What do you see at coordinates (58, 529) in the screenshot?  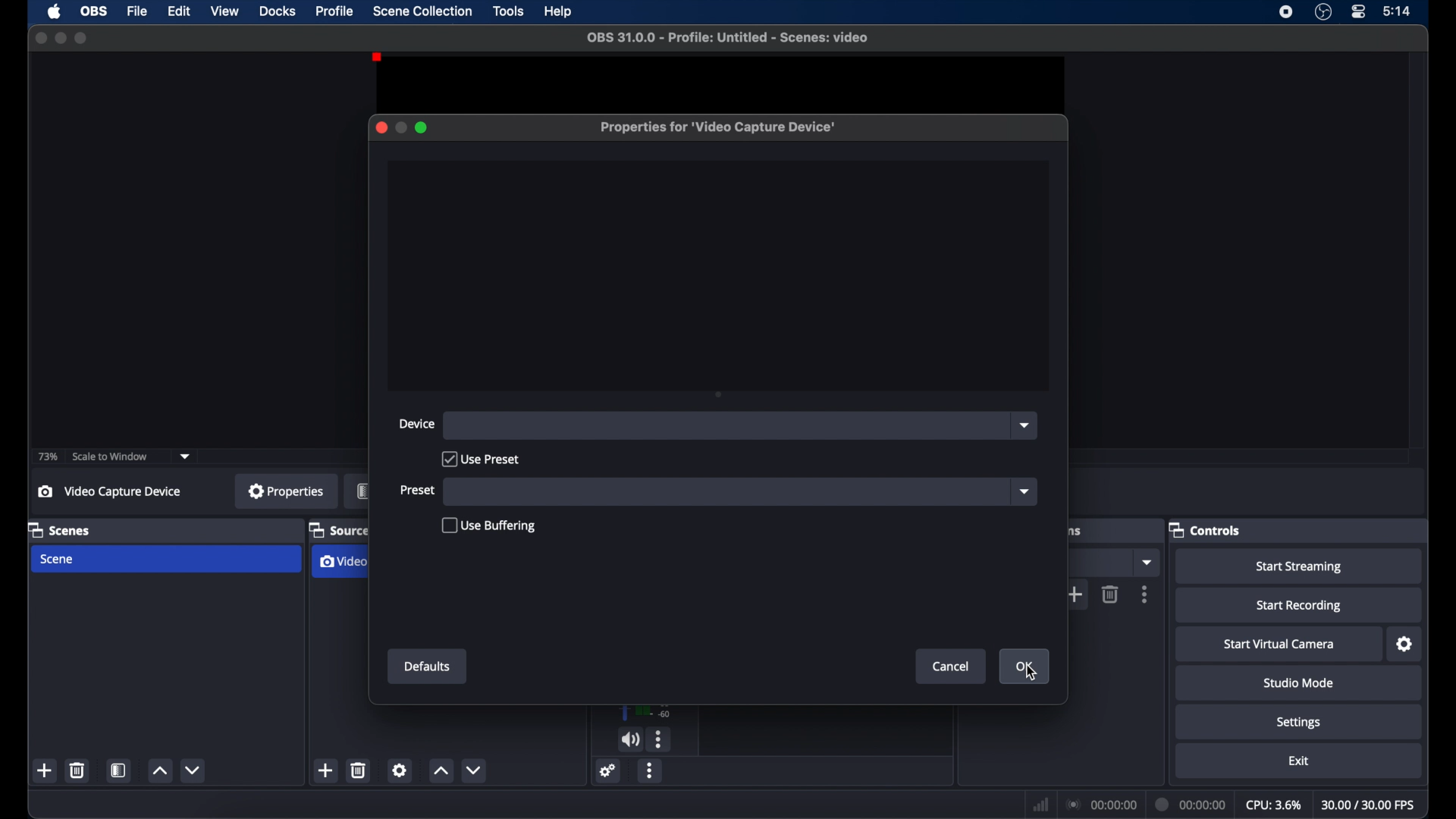 I see `scenes` at bounding box center [58, 529].